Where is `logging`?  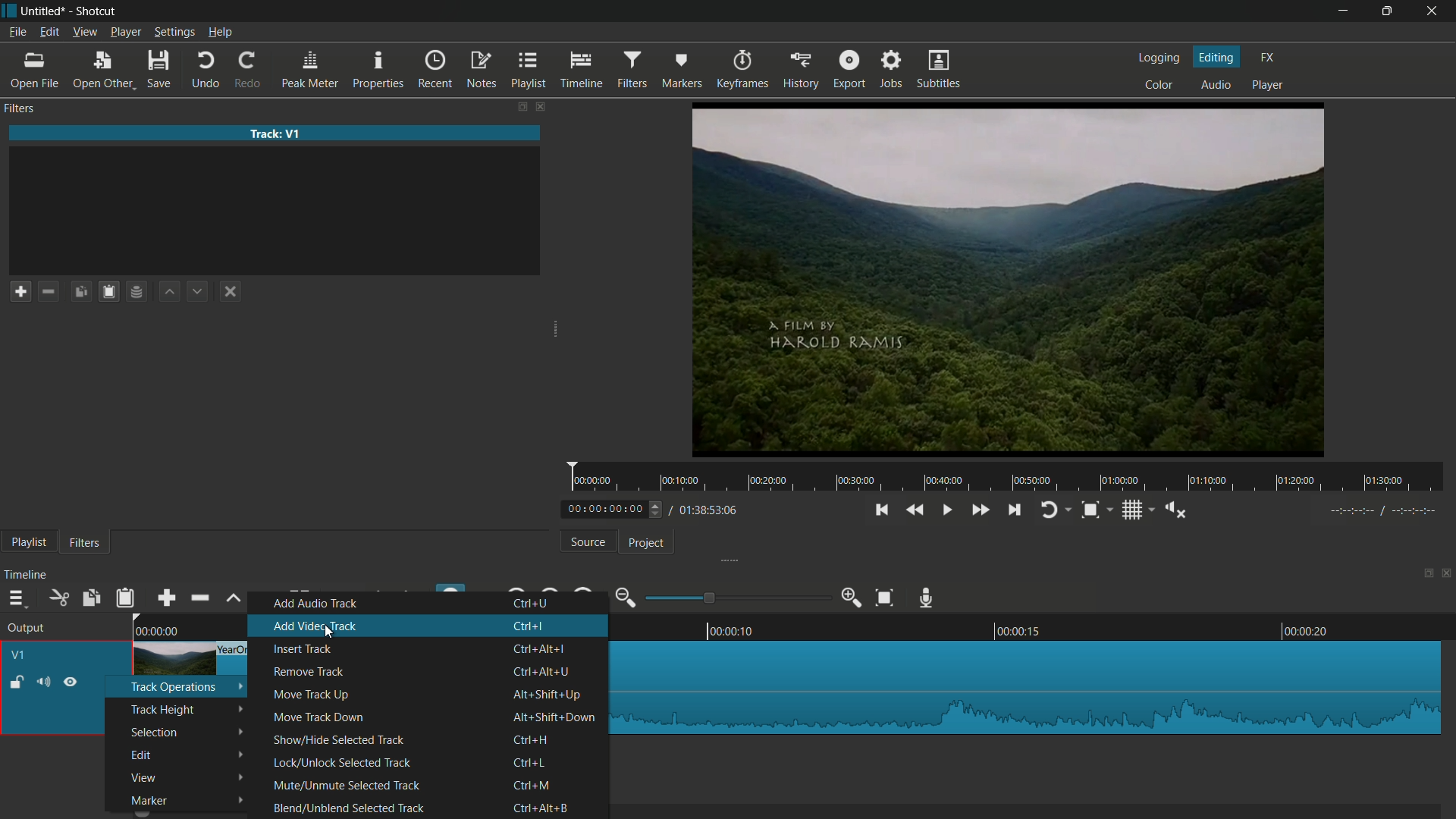 logging is located at coordinates (1161, 59).